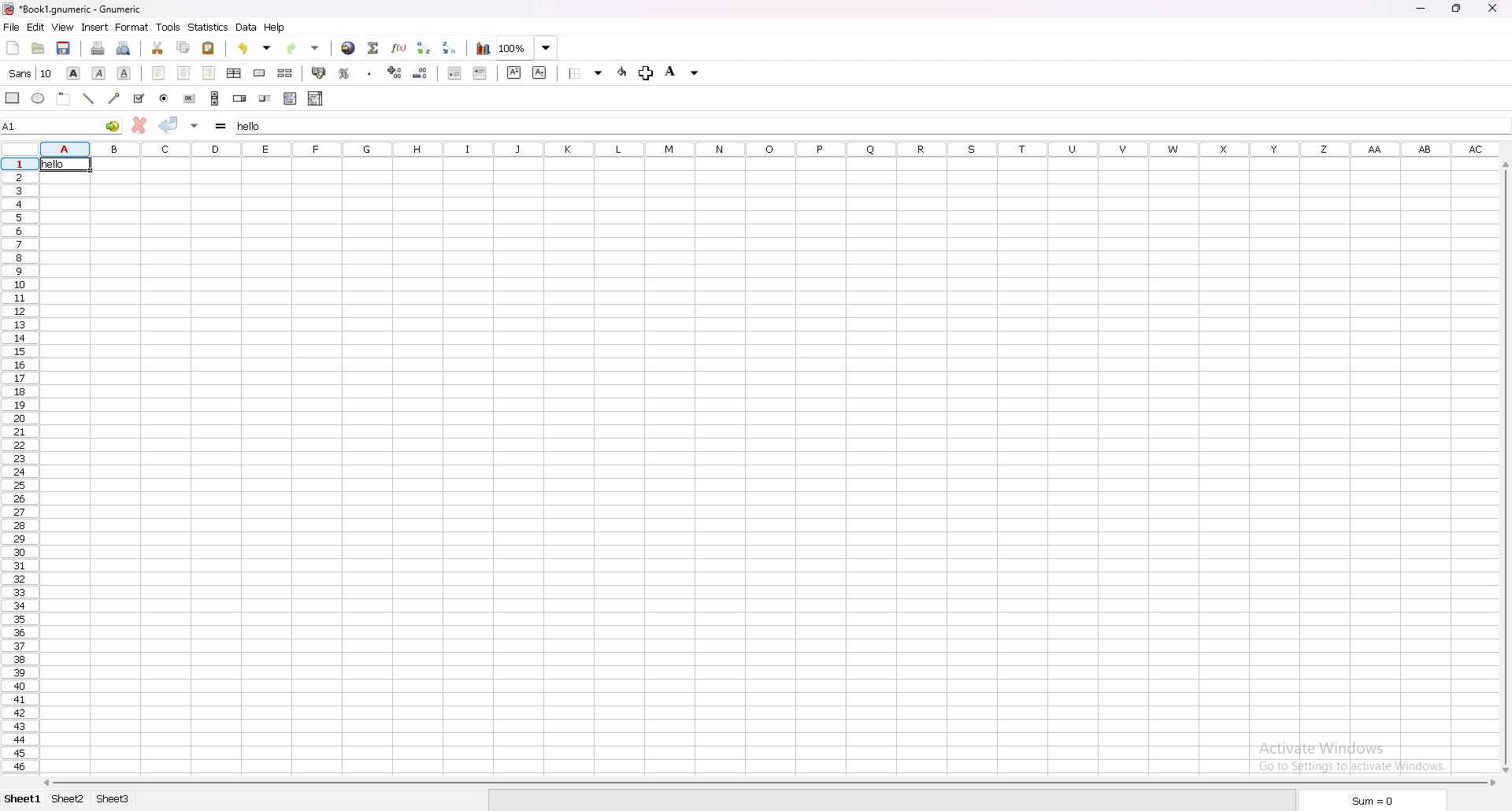 Image resolution: width=1512 pixels, height=811 pixels. Describe the element at coordinates (168, 26) in the screenshot. I see `tools` at that location.